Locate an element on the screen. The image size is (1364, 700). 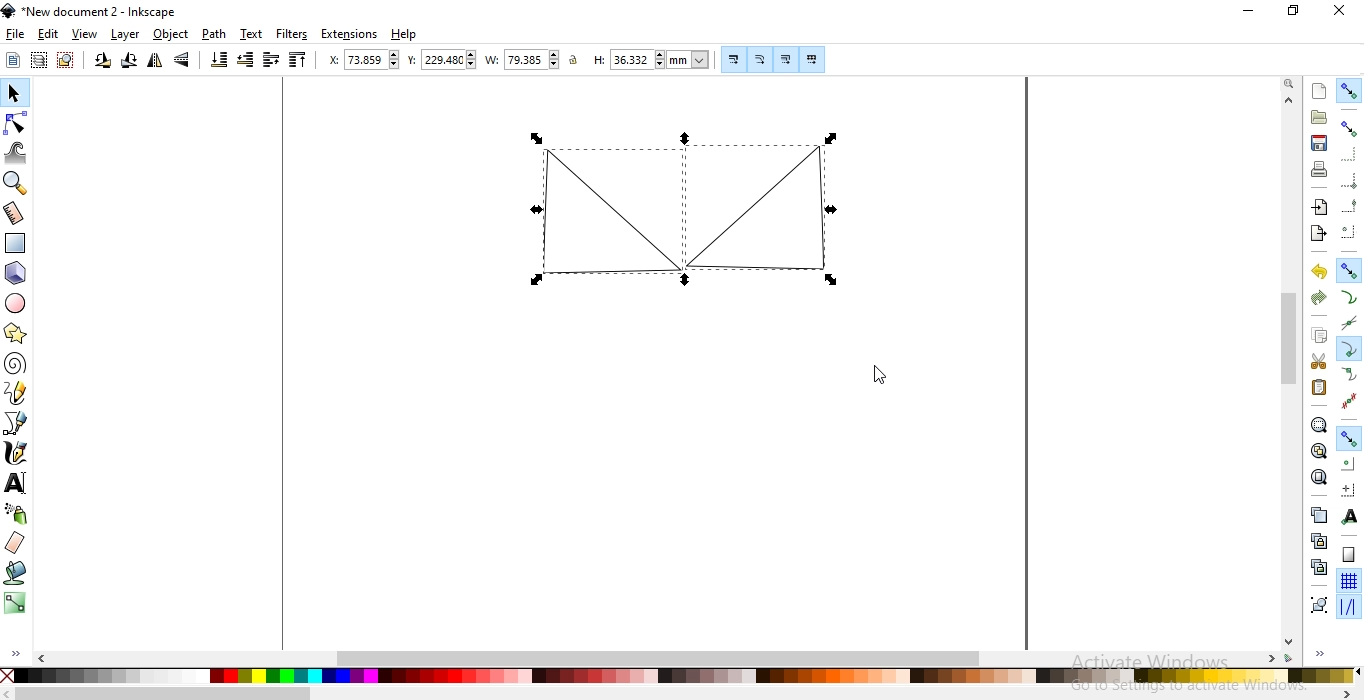
undo the action is located at coordinates (1317, 272).